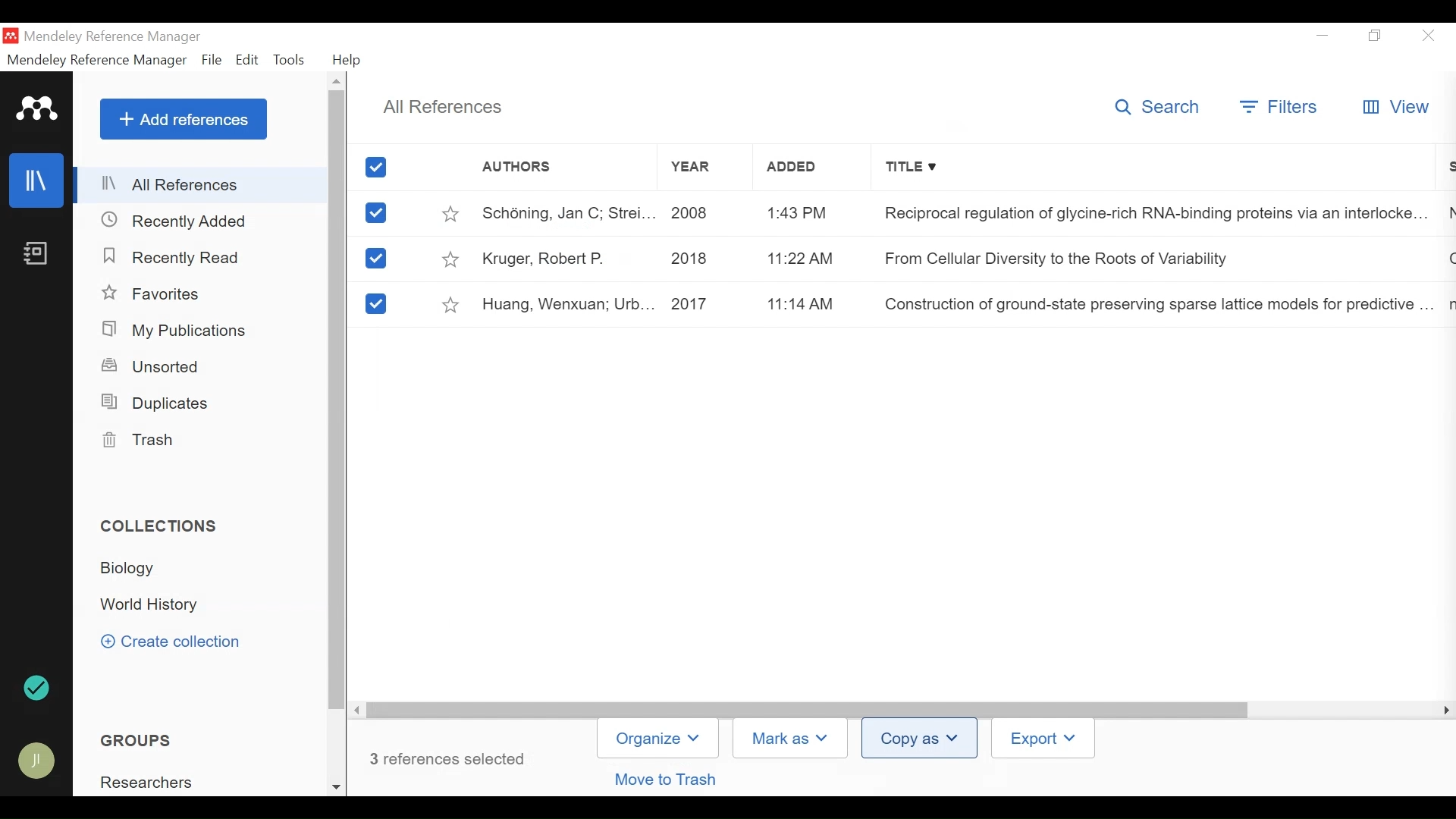 The width and height of the screenshot is (1456, 819). What do you see at coordinates (800, 260) in the screenshot?
I see `11:22 AM` at bounding box center [800, 260].